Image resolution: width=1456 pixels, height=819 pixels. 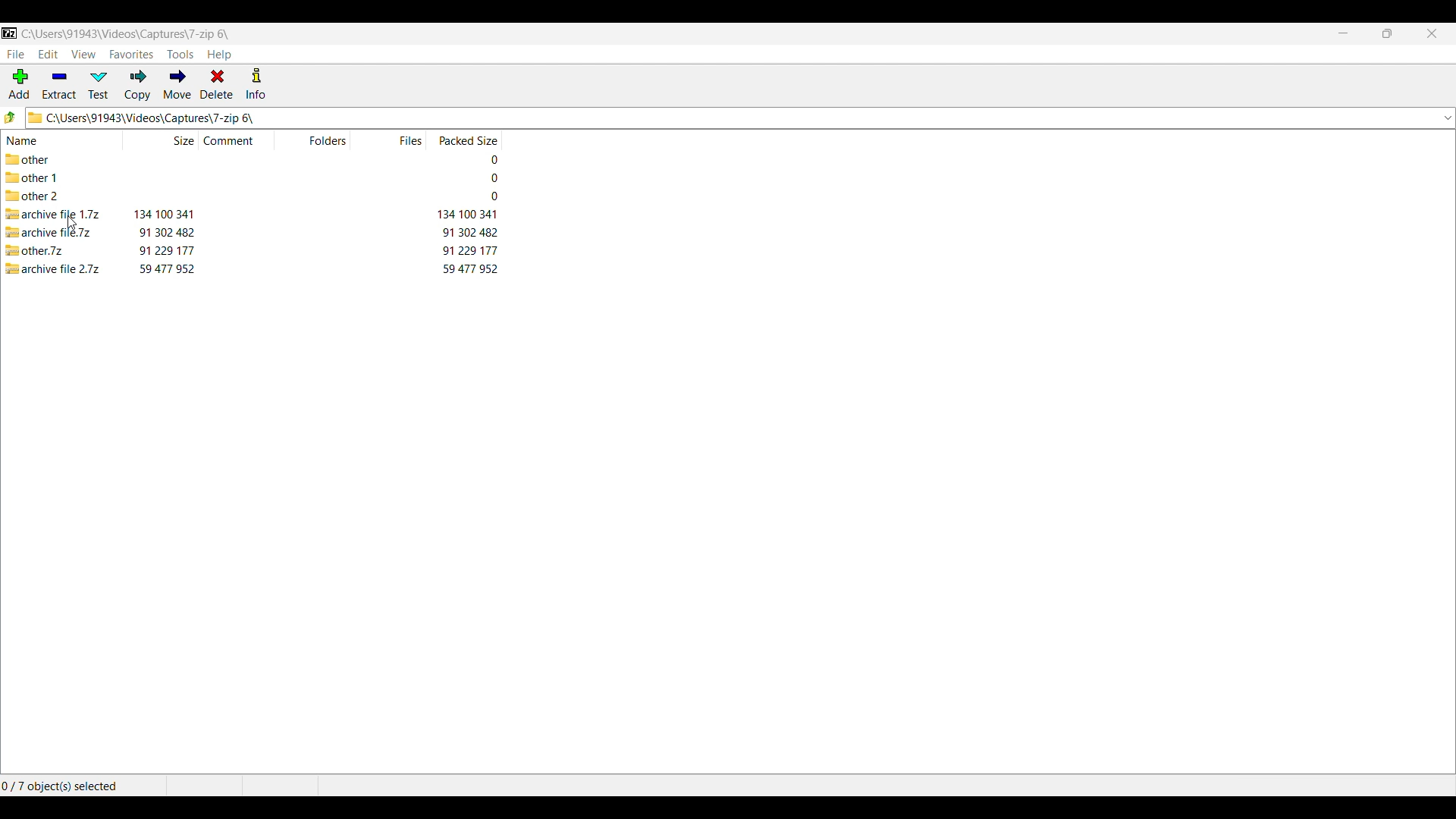 What do you see at coordinates (71, 222) in the screenshot?
I see `cursor` at bounding box center [71, 222].